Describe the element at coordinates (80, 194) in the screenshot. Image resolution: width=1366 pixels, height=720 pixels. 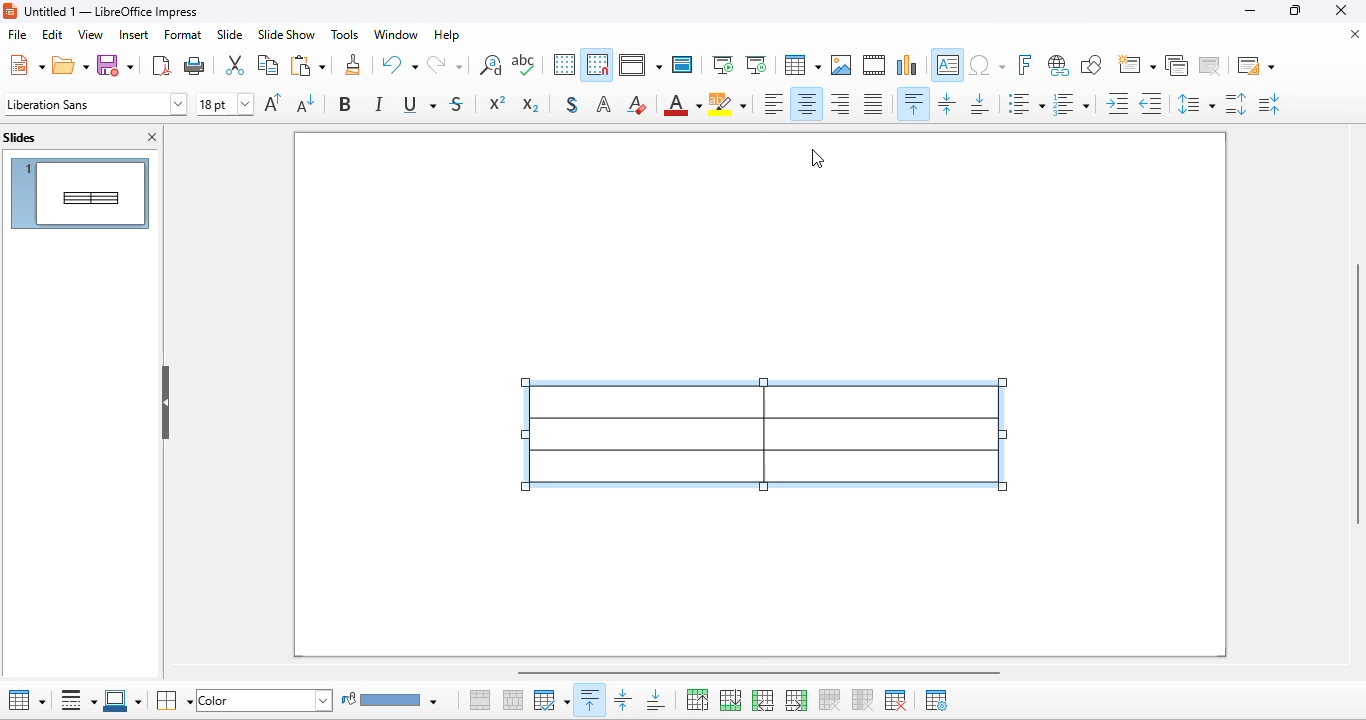
I see `preview in slides pane` at that location.